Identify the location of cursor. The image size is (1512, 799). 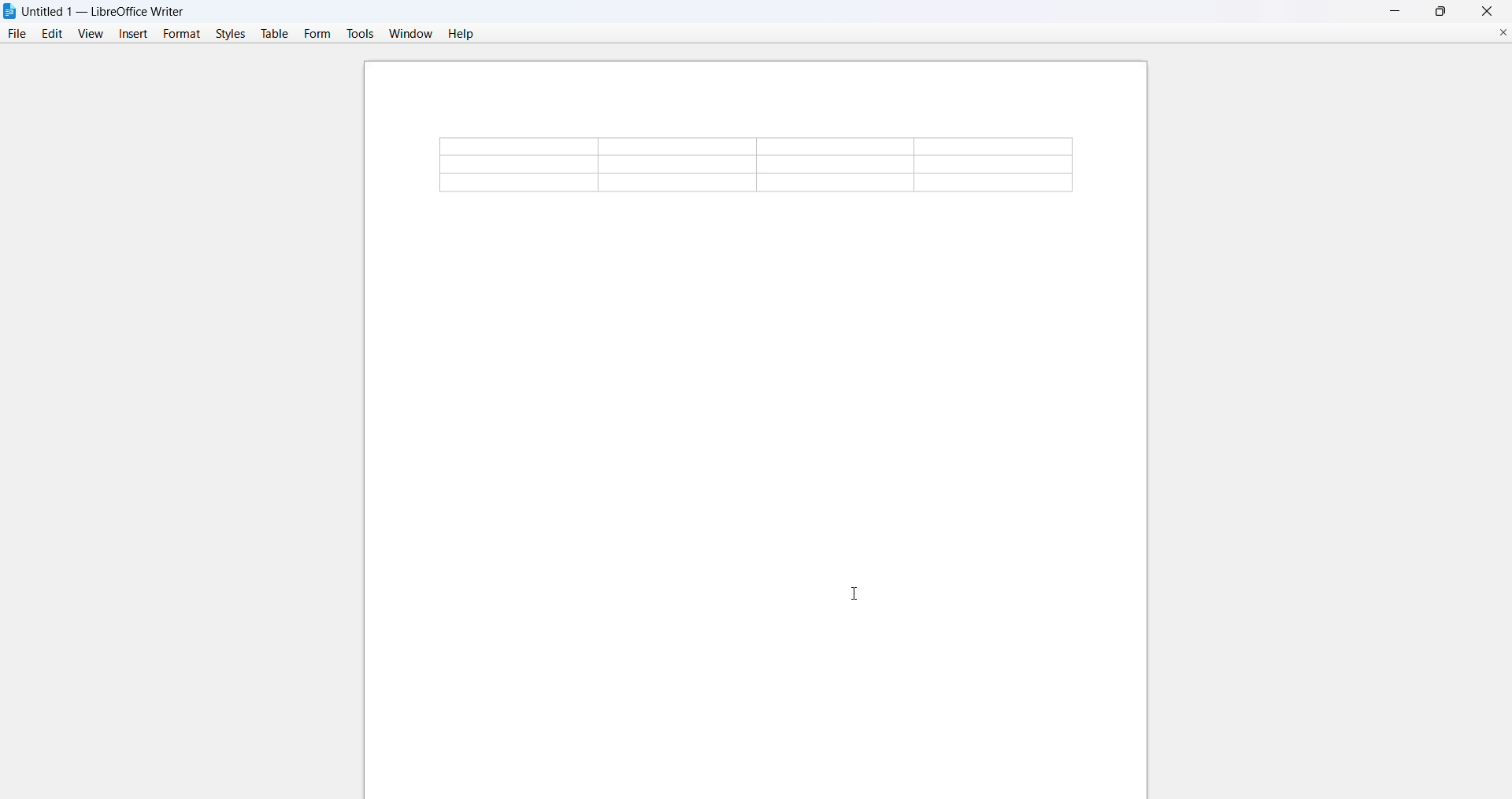
(856, 593).